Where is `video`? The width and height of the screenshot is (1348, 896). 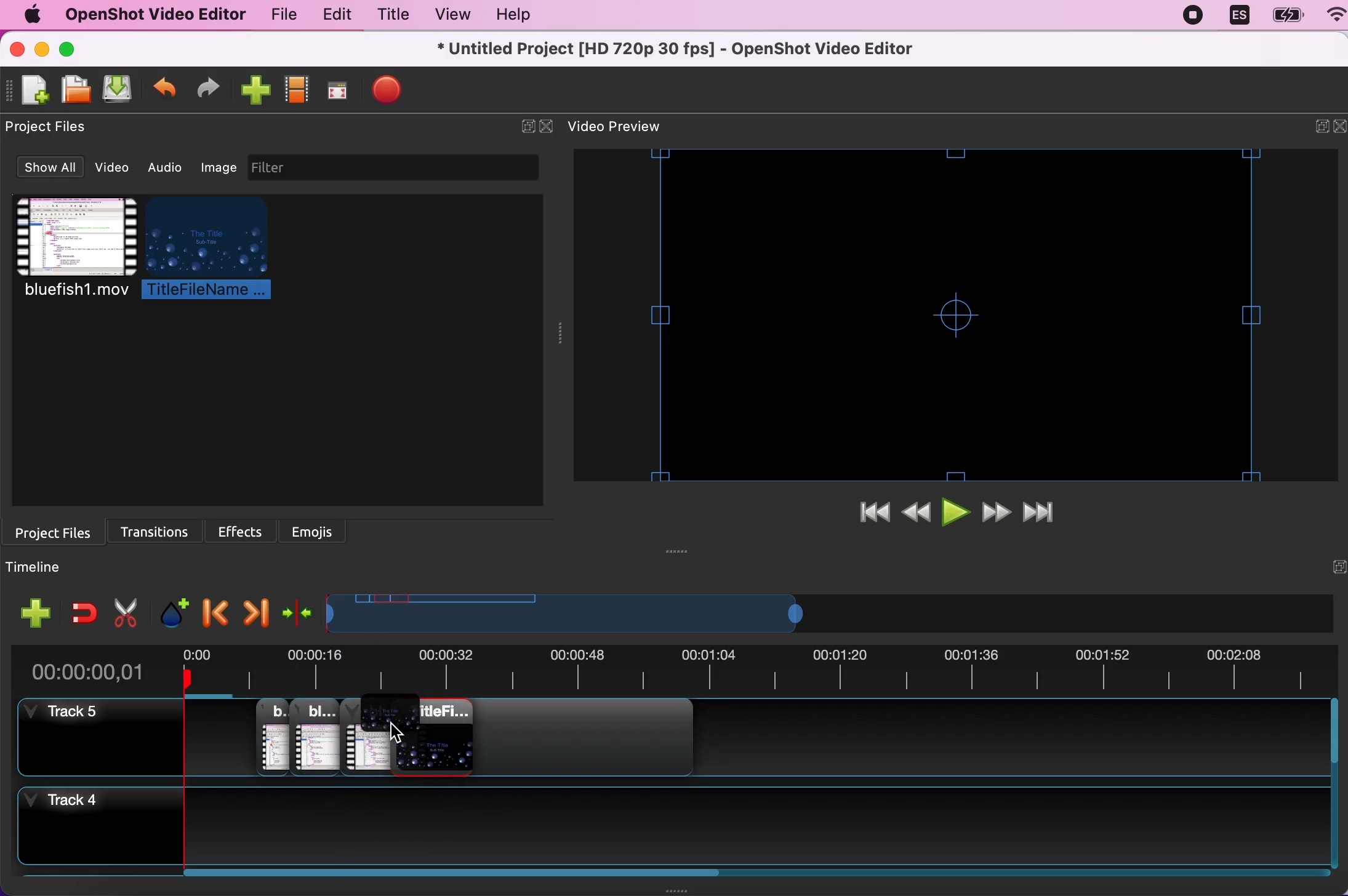 video is located at coordinates (116, 167).